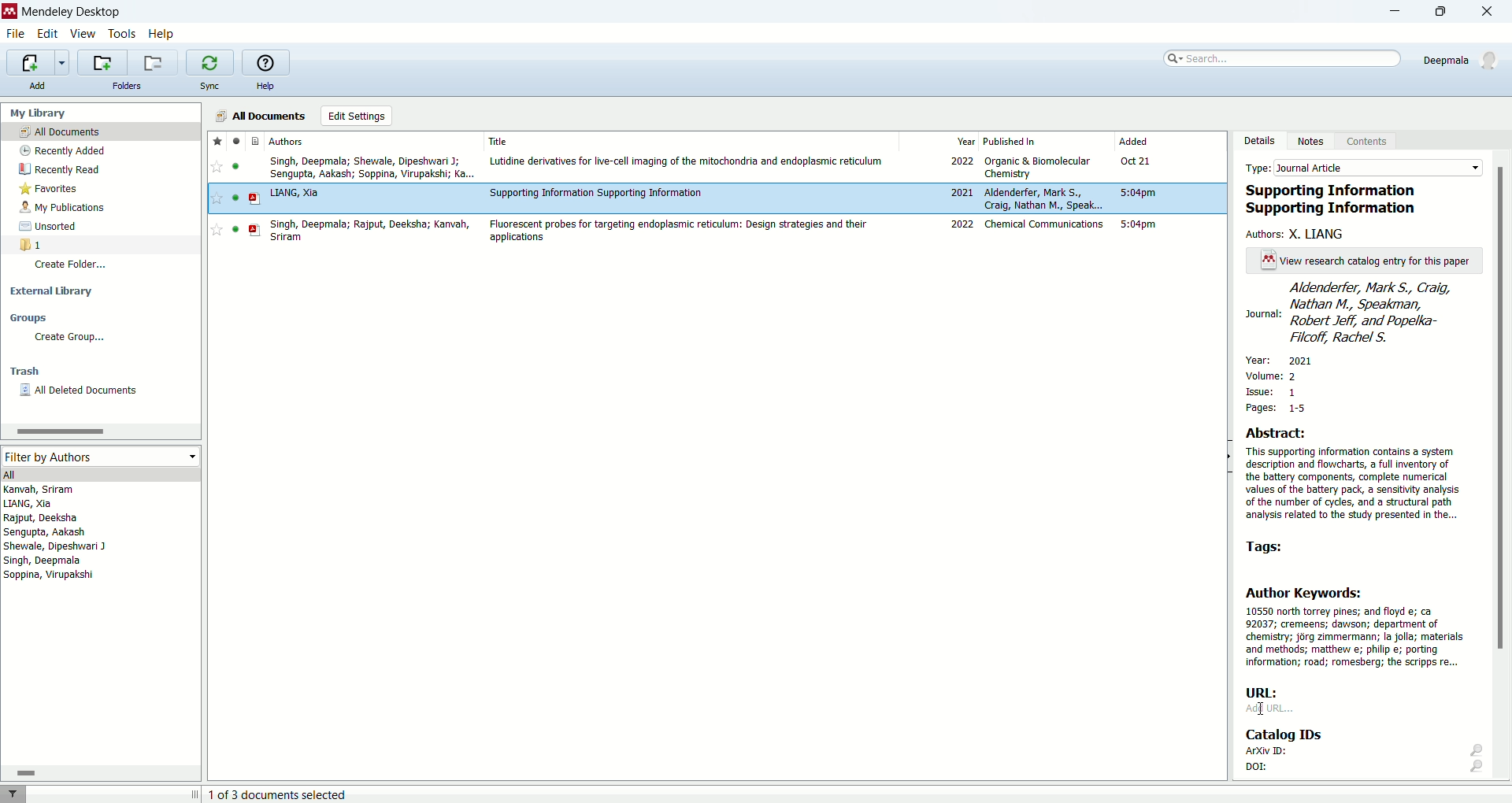  Describe the element at coordinates (261, 115) in the screenshot. I see `all documents` at that location.